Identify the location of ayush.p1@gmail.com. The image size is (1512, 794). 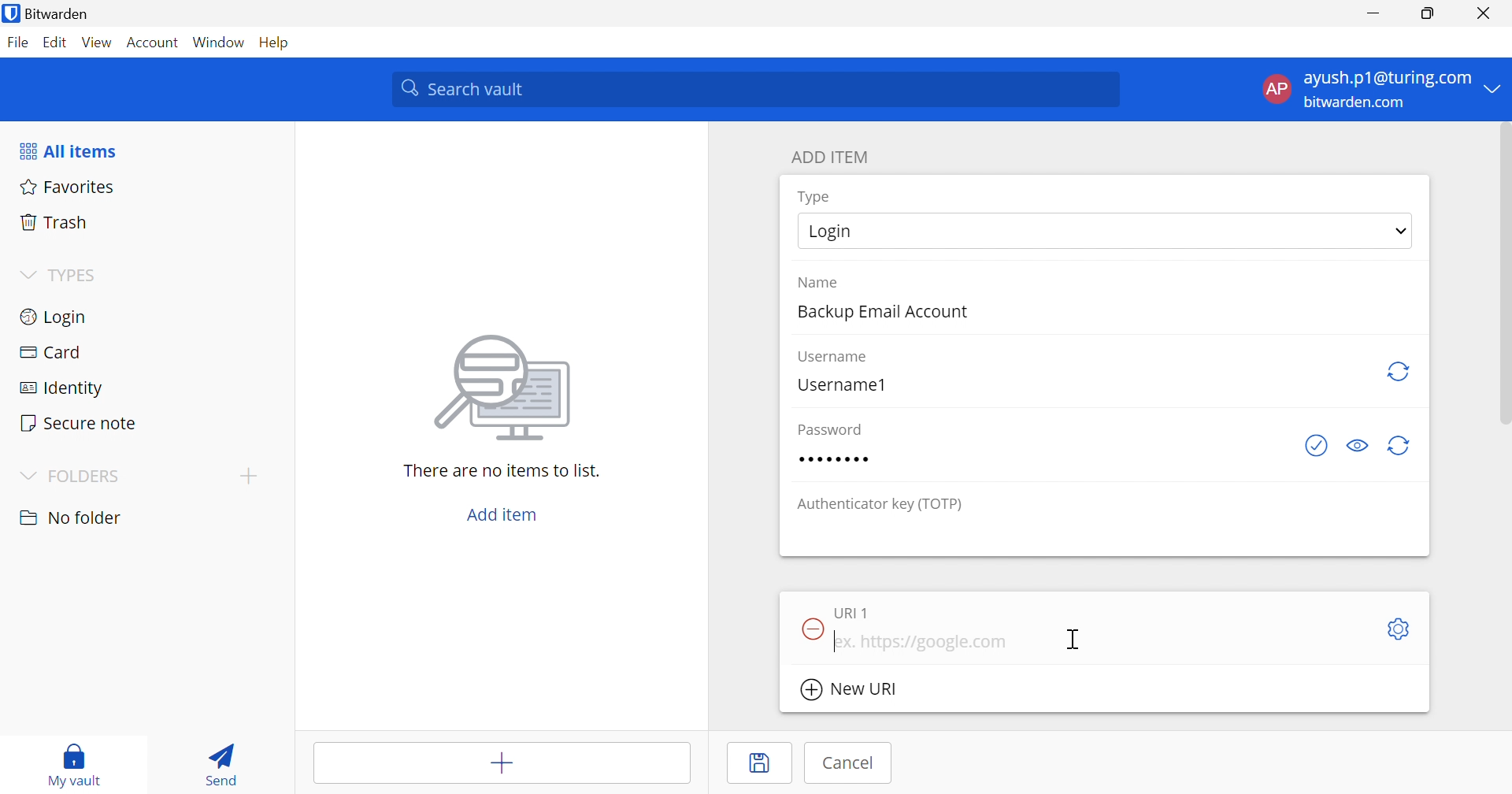
(1385, 78).